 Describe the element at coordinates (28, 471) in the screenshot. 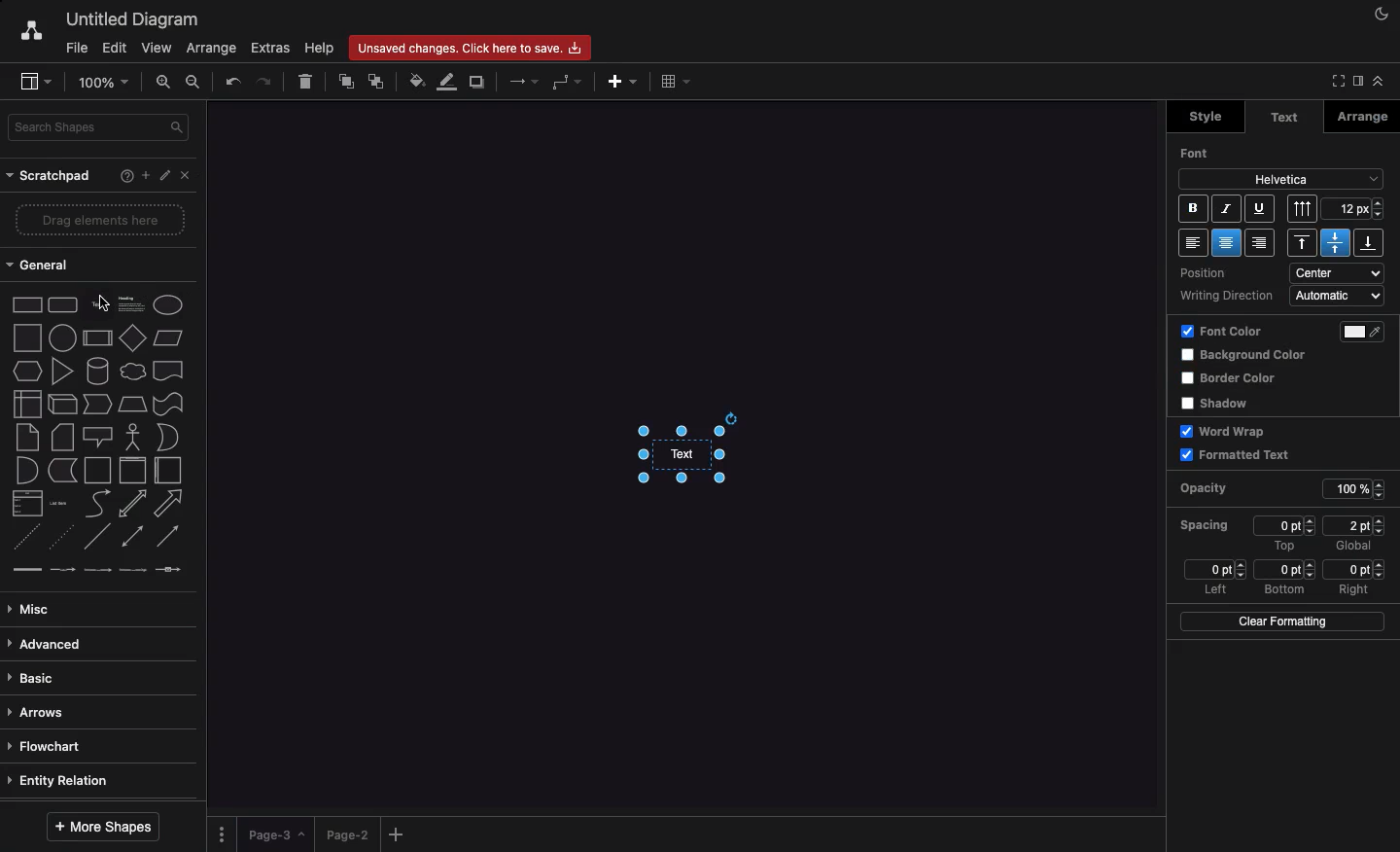

I see `and` at that location.